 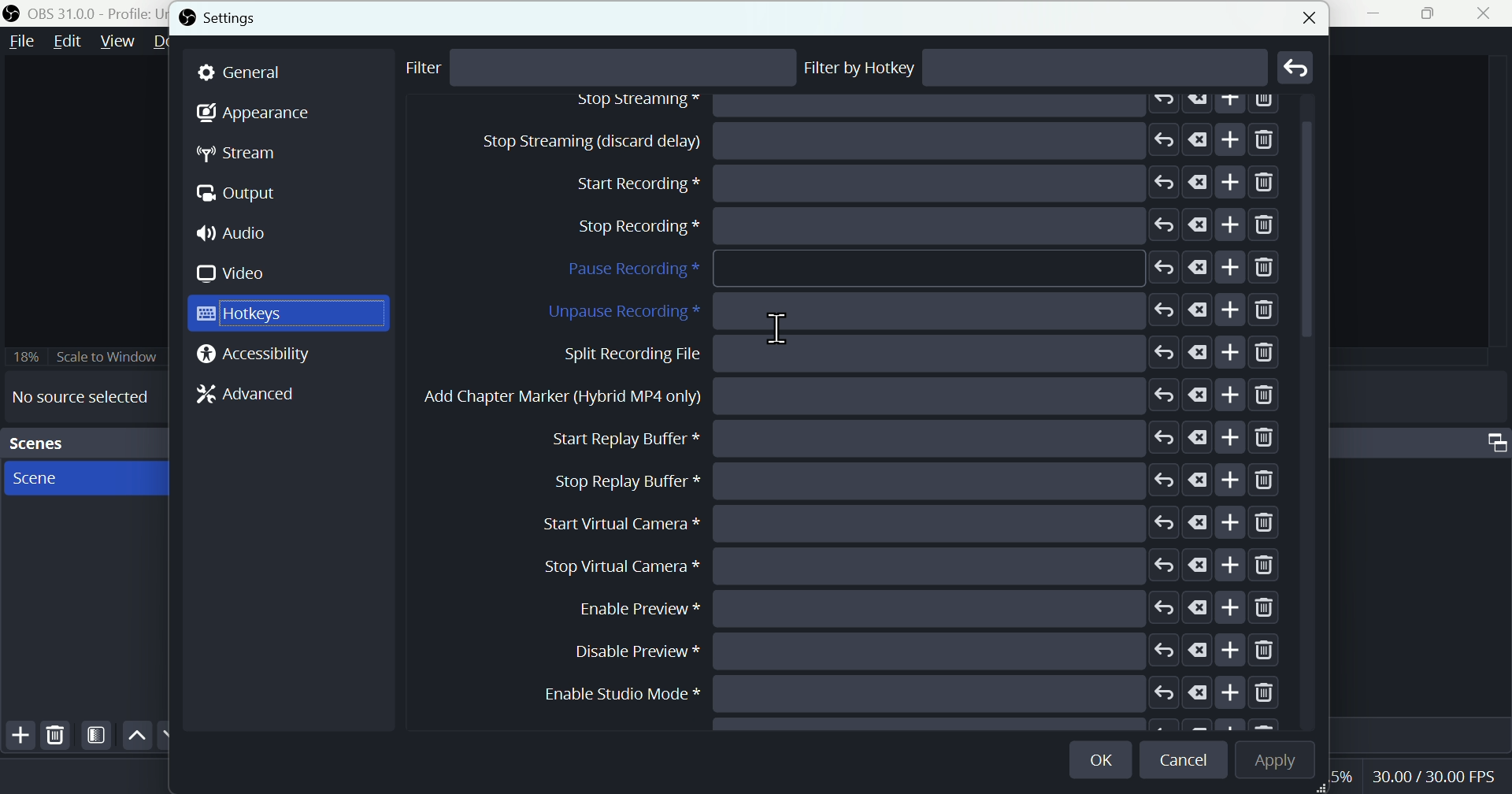 What do you see at coordinates (250, 154) in the screenshot?
I see `Stream` at bounding box center [250, 154].